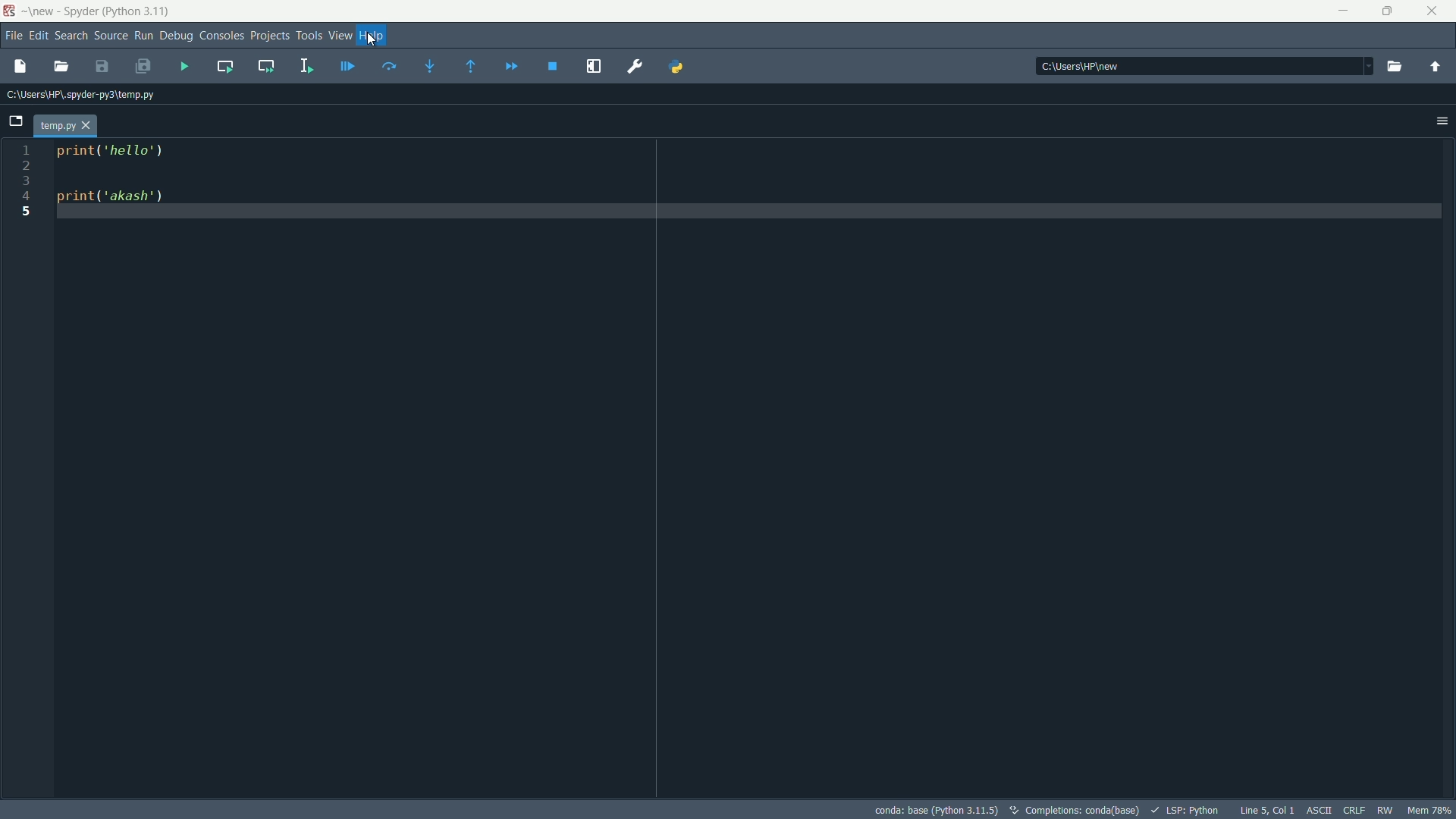 This screenshot has height=819, width=1456. What do you see at coordinates (271, 34) in the screenshot?
I see `projects menu` at bounding box center [271, 34].